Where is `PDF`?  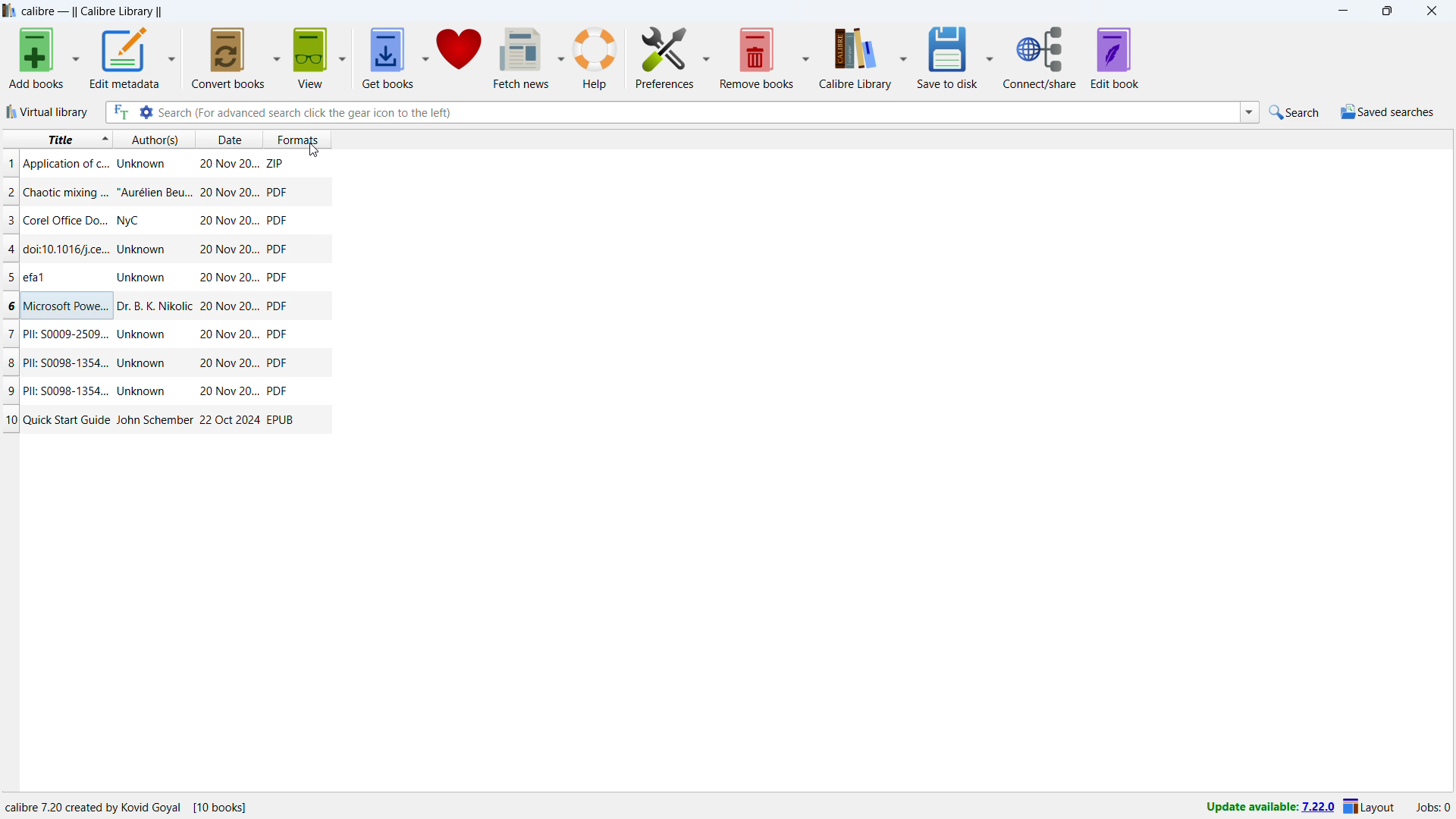 PDF is located at coordinates (277, 192).